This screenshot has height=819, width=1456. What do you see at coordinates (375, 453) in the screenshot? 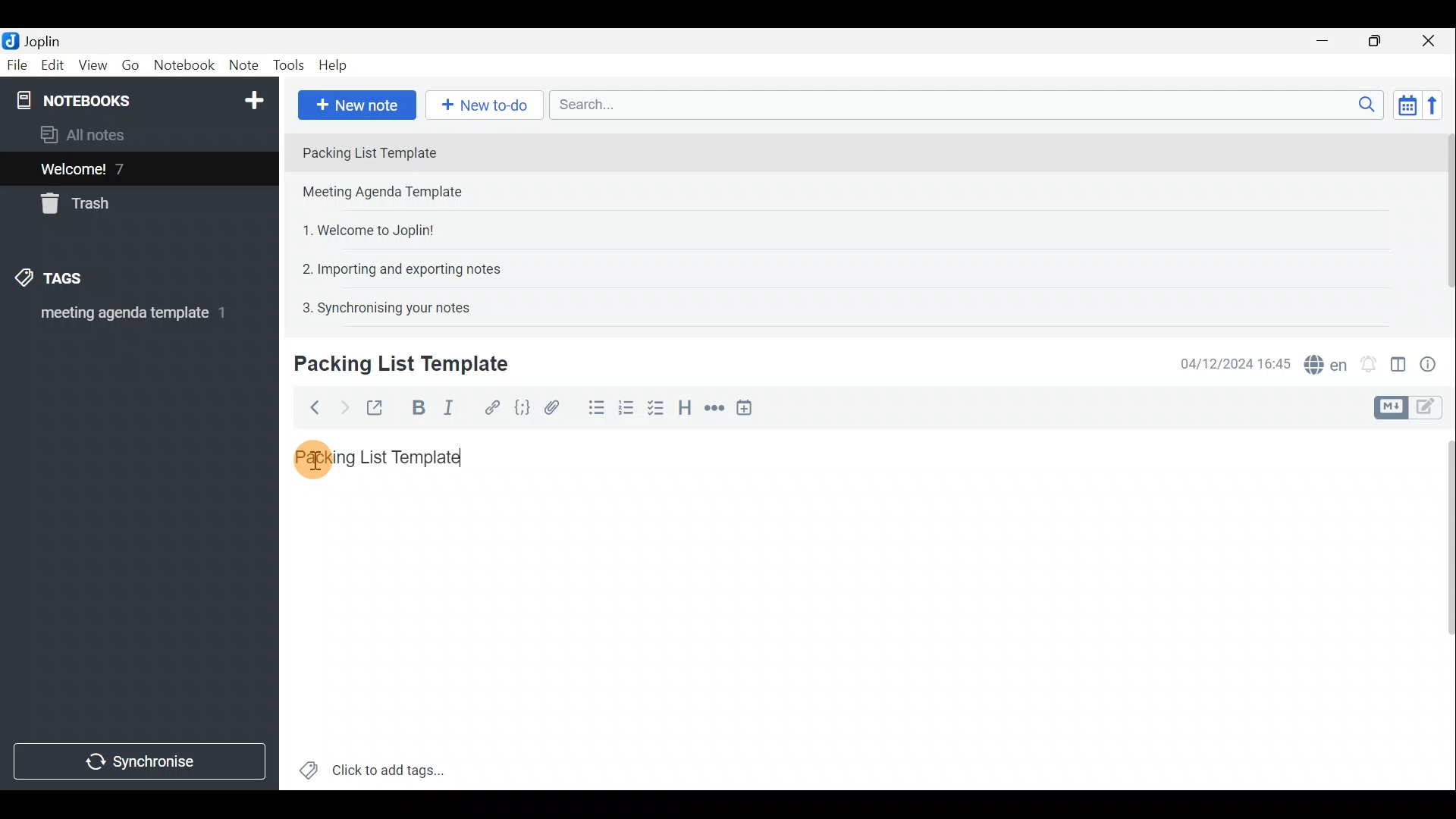
I see `Packing List Template` at bounding box center [375, 453].